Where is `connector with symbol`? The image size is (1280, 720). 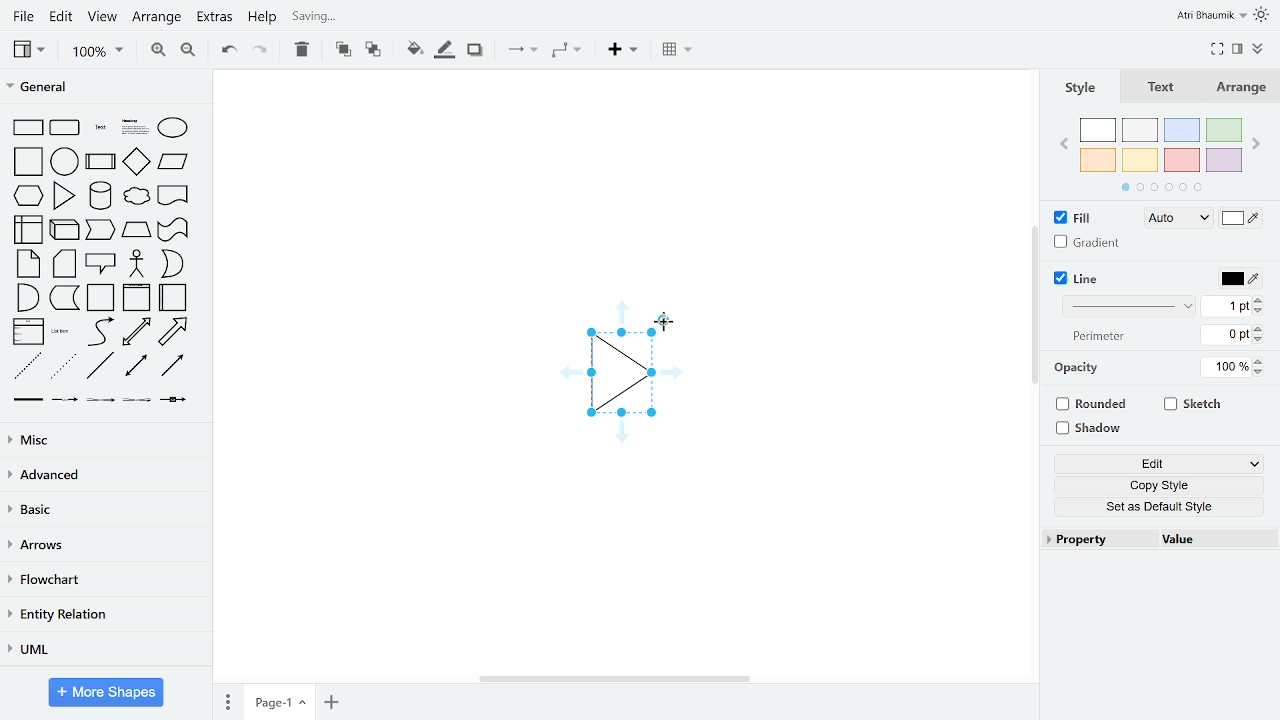
connector with symbol is located at coordinates (173, 401).